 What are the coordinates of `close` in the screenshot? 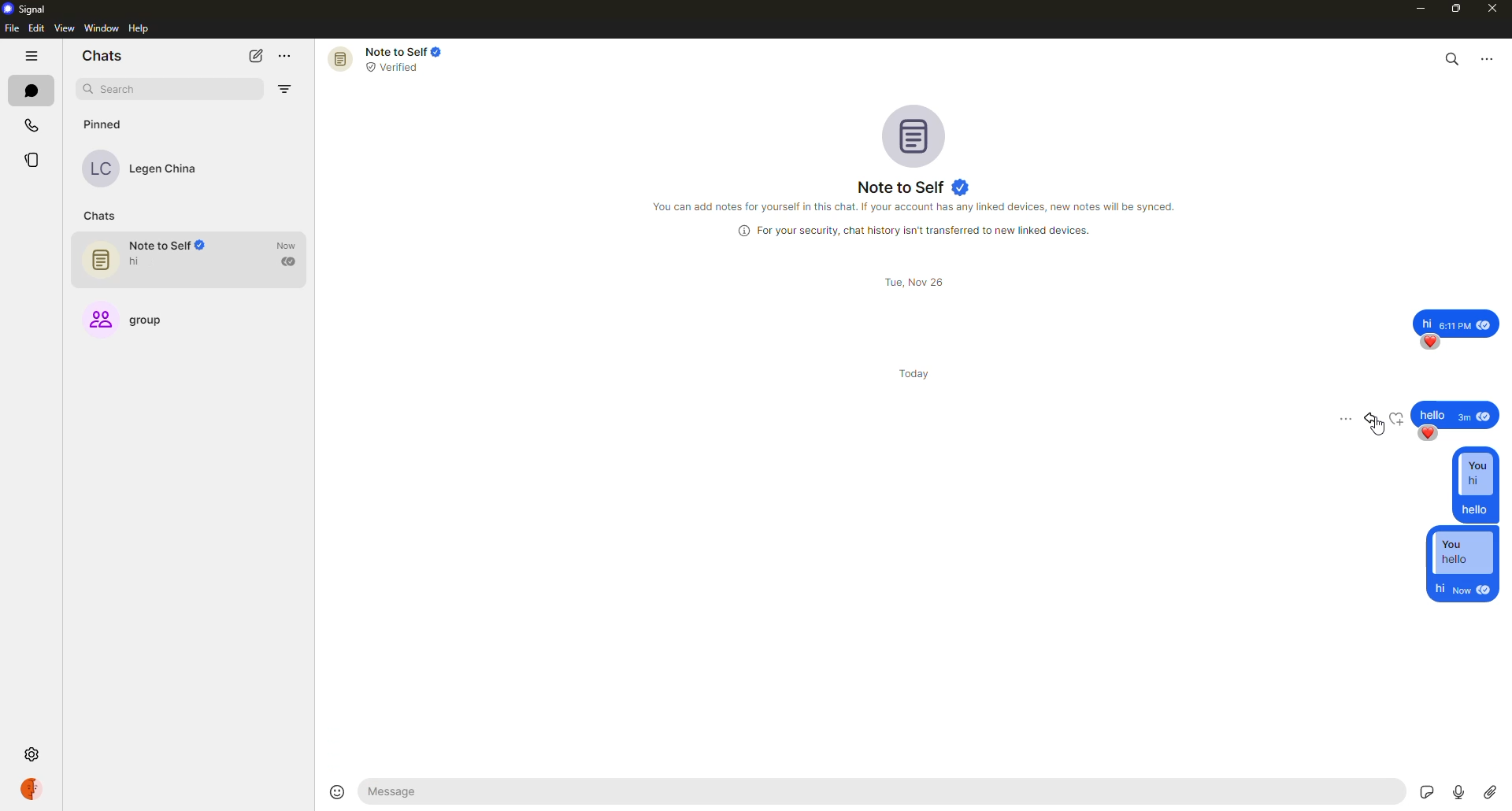 It's located at (1494, 8).